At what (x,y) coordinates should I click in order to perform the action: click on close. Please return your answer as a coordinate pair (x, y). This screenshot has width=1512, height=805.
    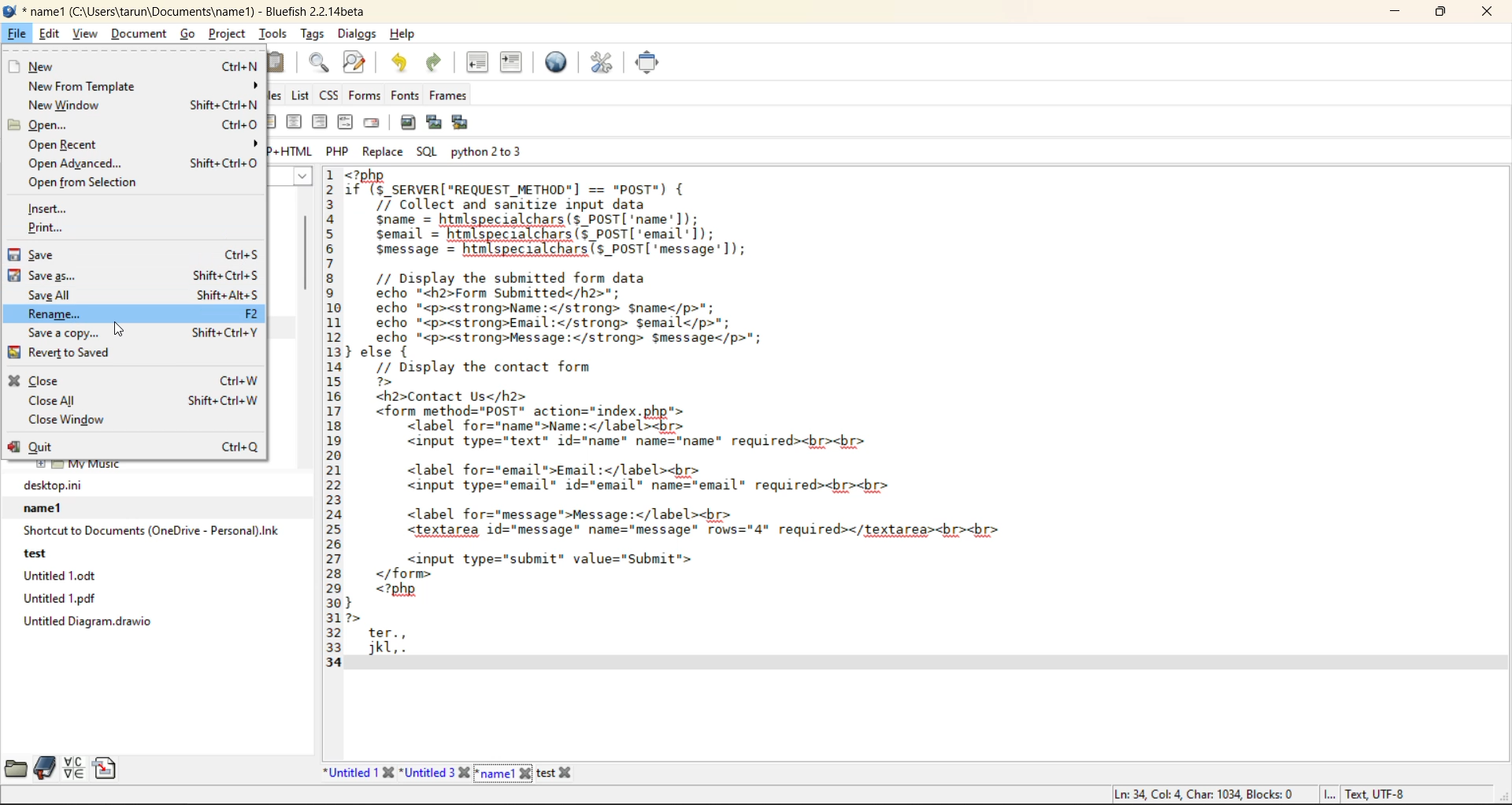
    Looking at the image, I should click on (1488, 14).